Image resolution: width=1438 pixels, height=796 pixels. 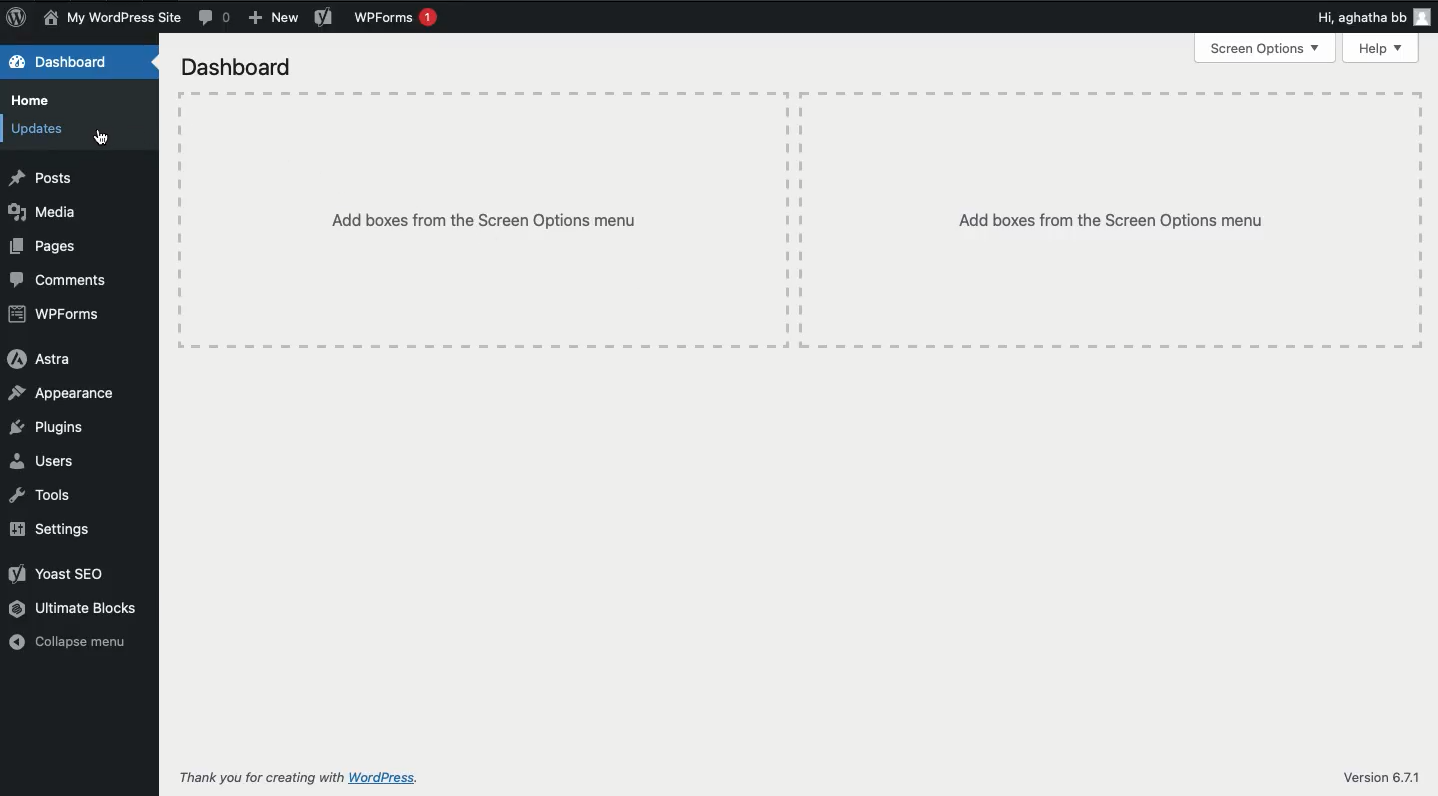 What do you see at coordinates (48, 428) in the screenshot?
I see `Plugins` at bounding box center [48, 428].